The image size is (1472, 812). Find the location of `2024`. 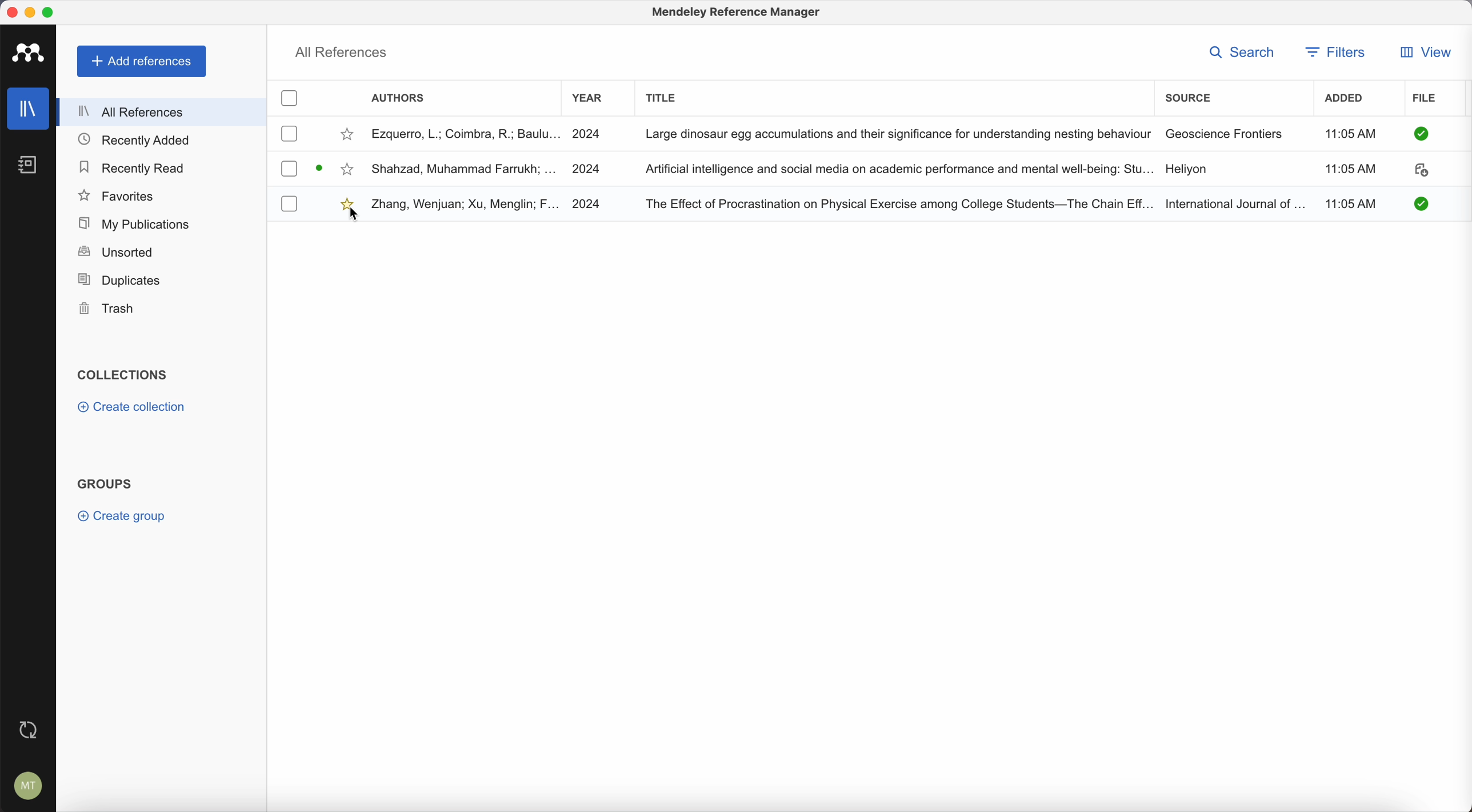

2024 is located at coordinates (587, 203).